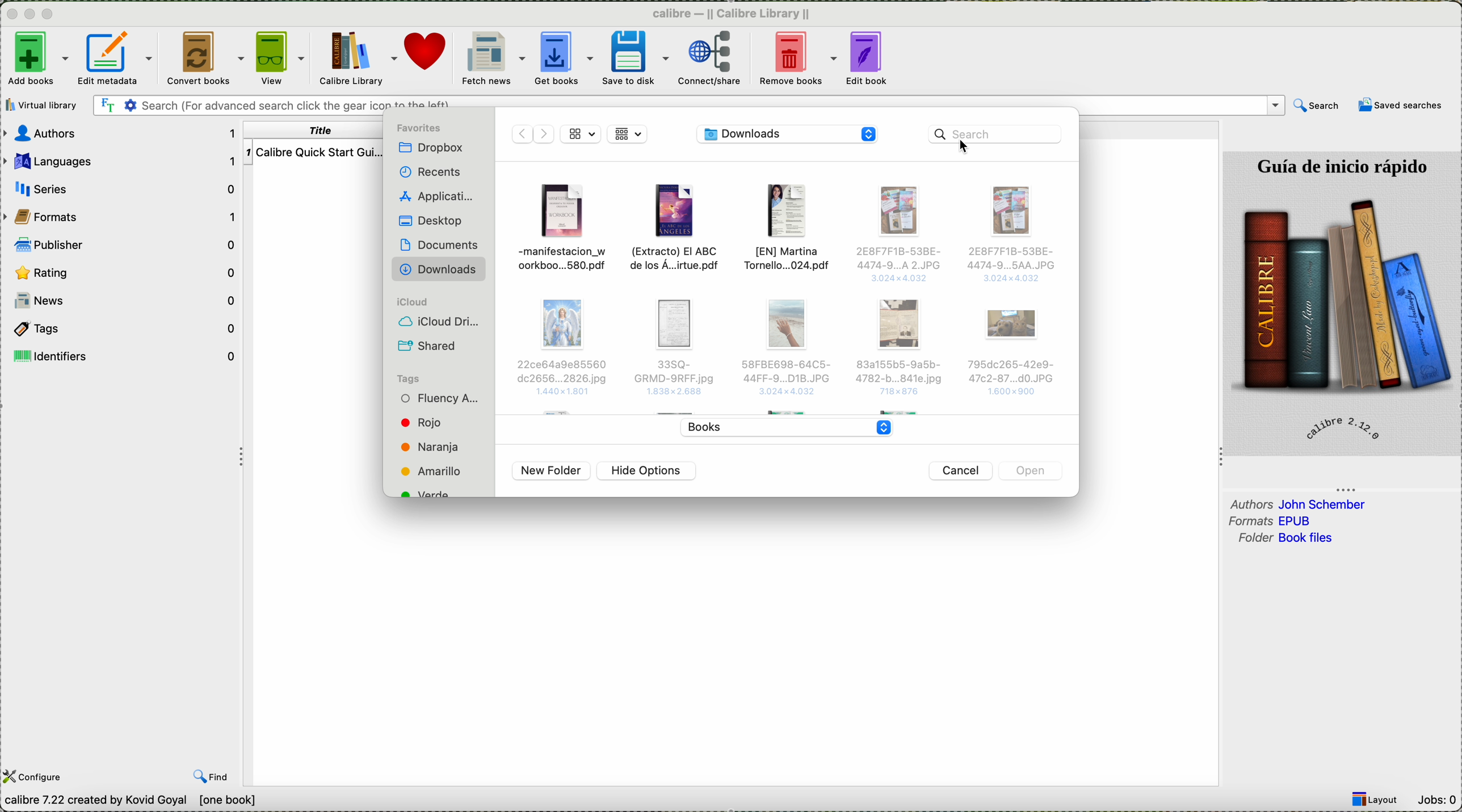  I want to click on view, so click(279, 58).